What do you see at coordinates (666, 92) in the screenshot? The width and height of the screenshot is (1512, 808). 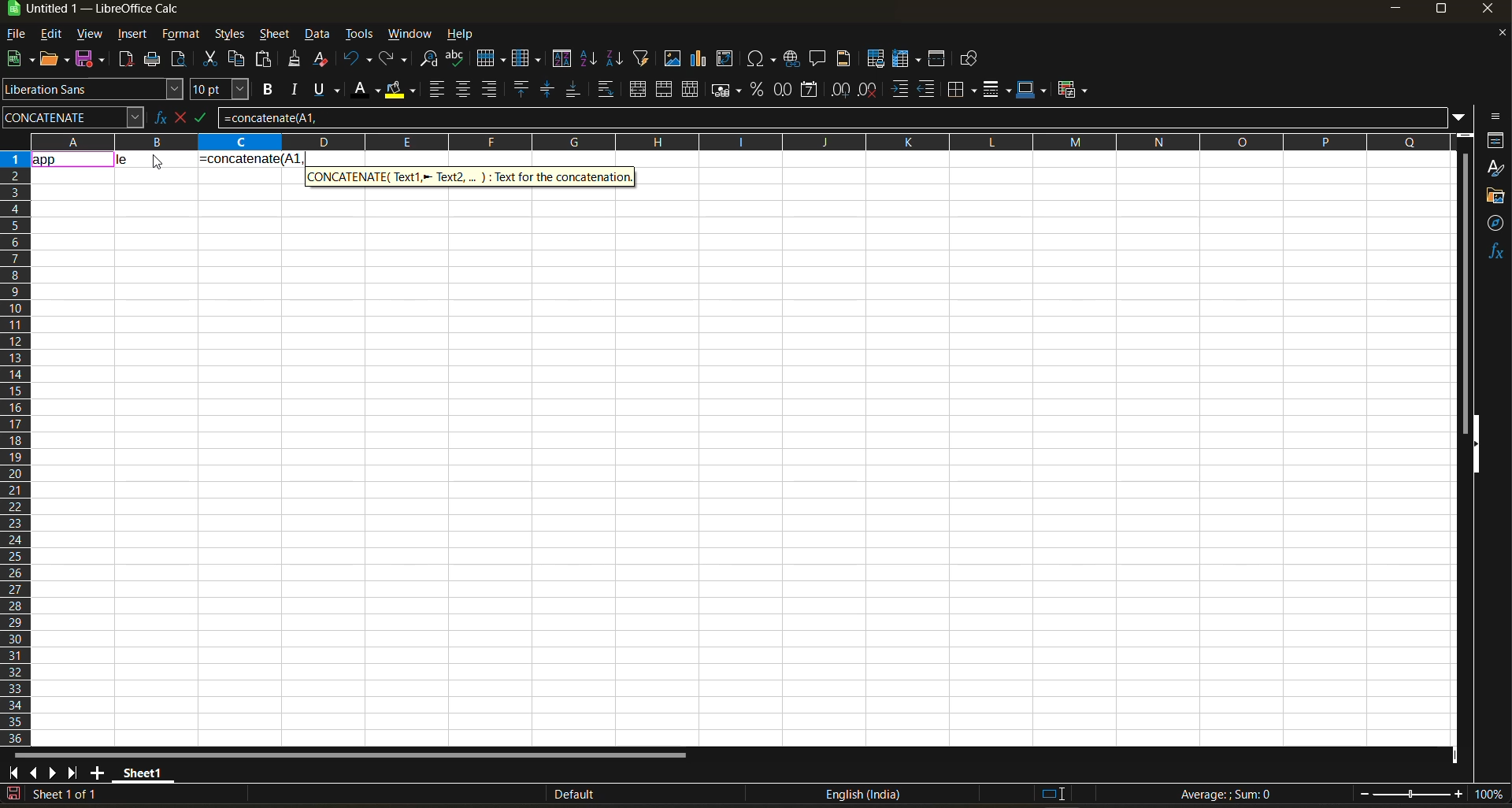 I see `merge cells` at bounding box center [666, 92].